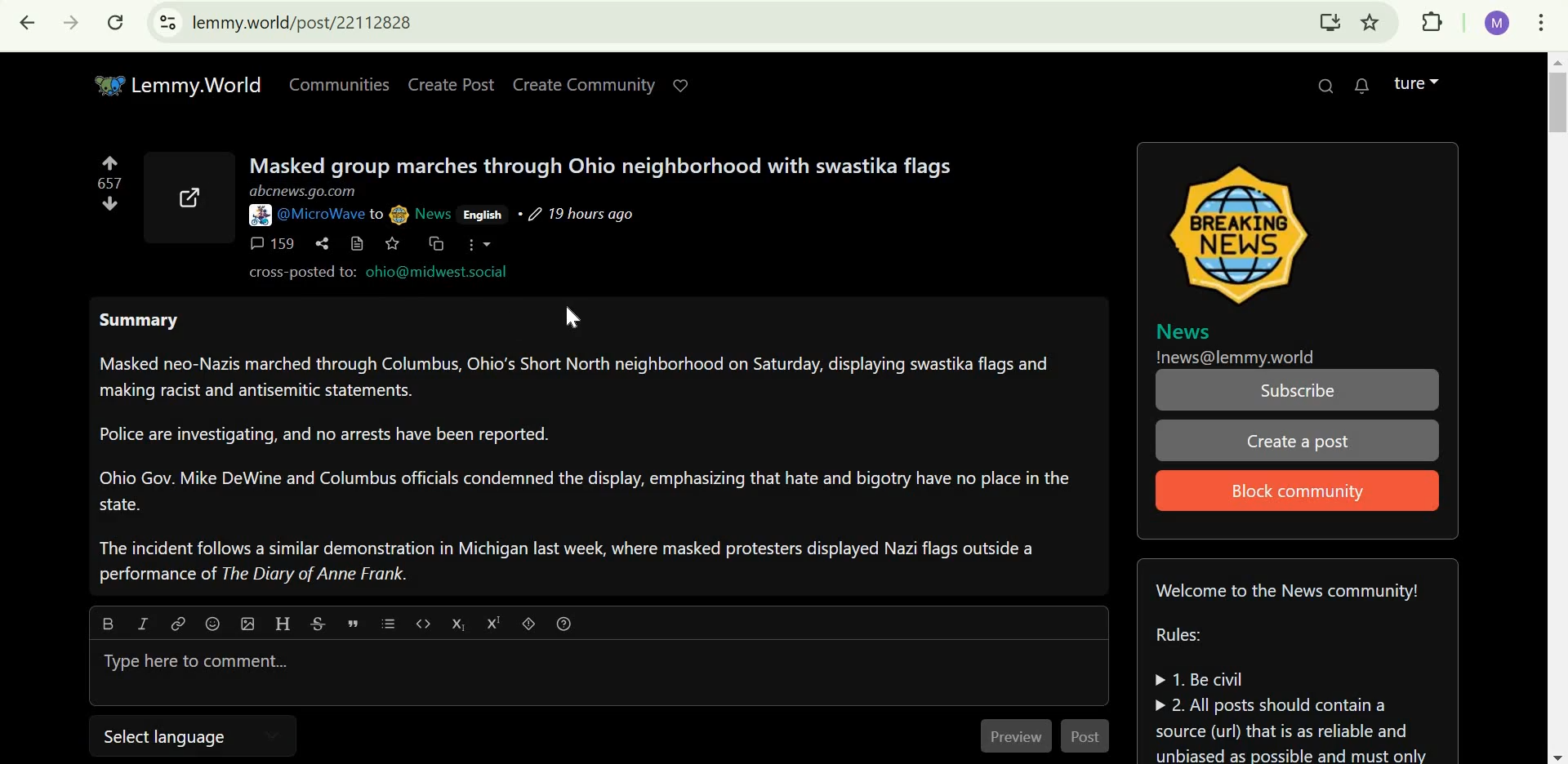  I want to click on downvote, so click(109, 203).